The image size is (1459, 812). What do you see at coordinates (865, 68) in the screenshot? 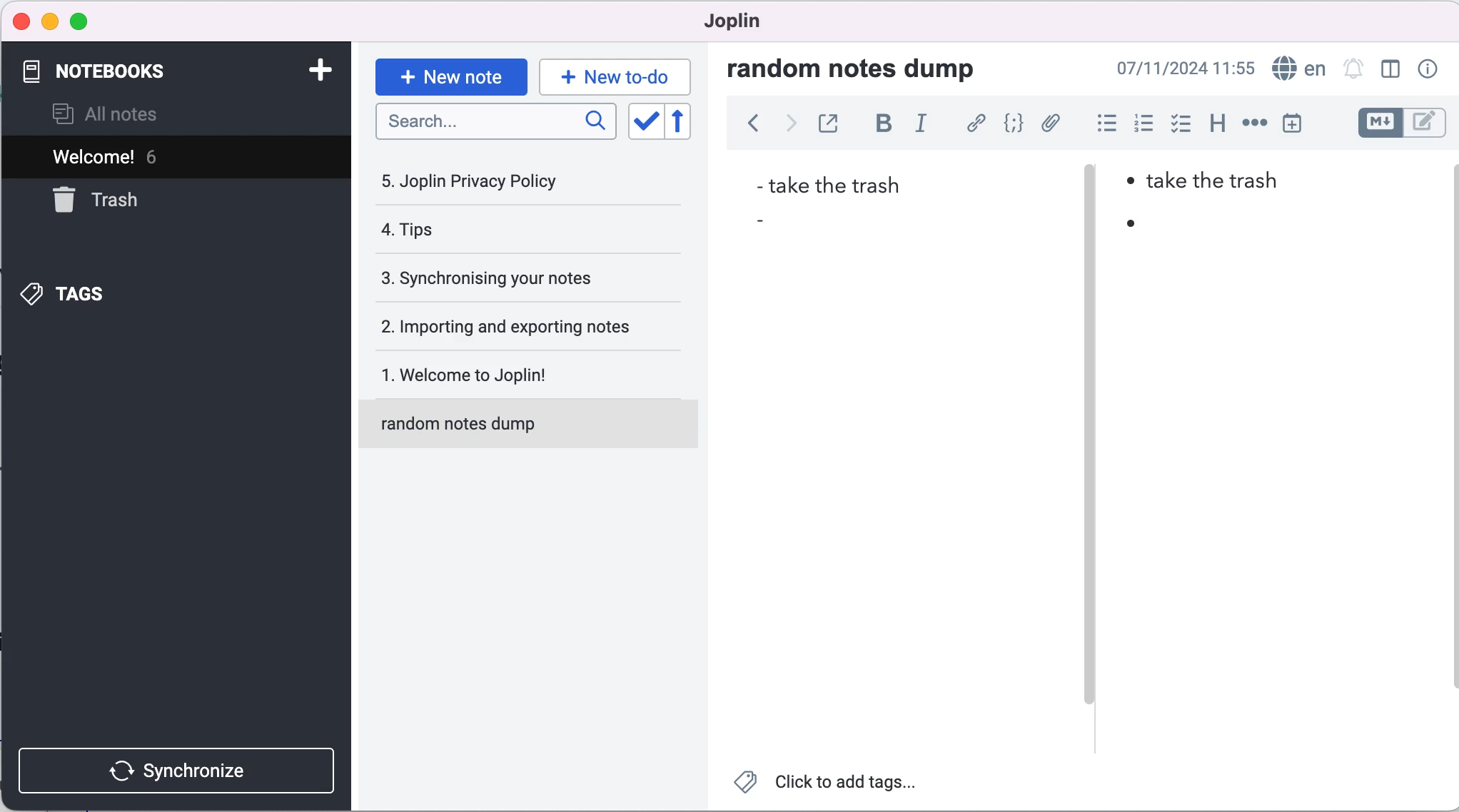
I see `random notes dump` at bounding box center [865, 68].